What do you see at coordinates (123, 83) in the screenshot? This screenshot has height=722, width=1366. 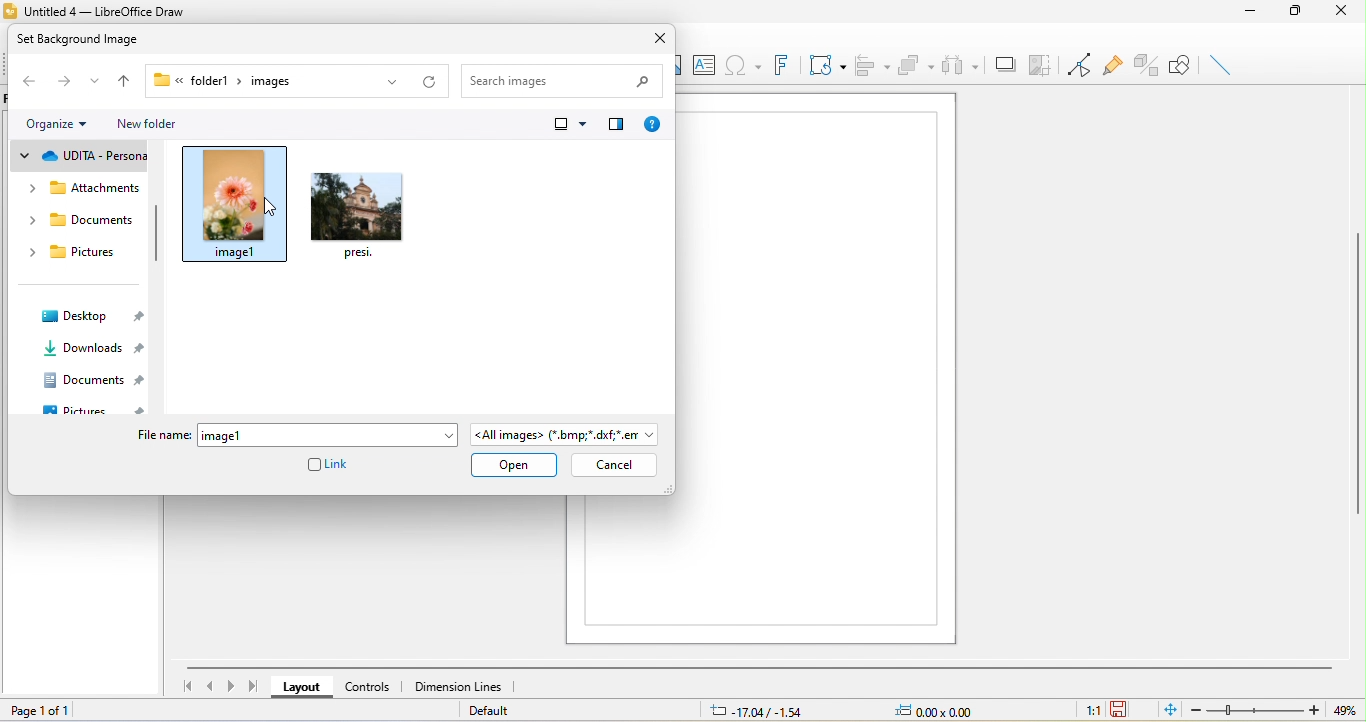 I see `up to` at bounding box center [123, 83].